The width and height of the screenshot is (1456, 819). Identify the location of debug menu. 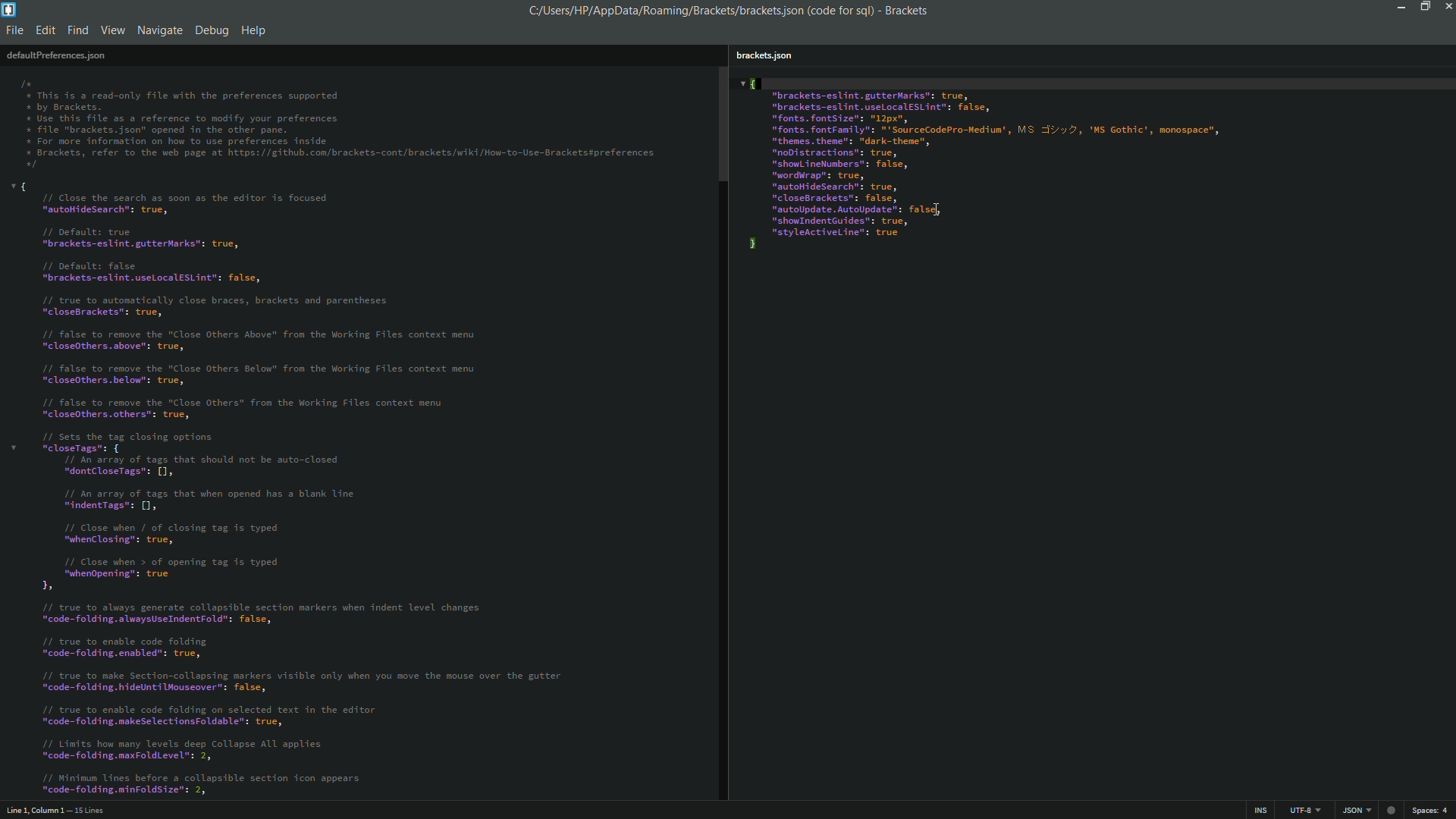
(212, 28).